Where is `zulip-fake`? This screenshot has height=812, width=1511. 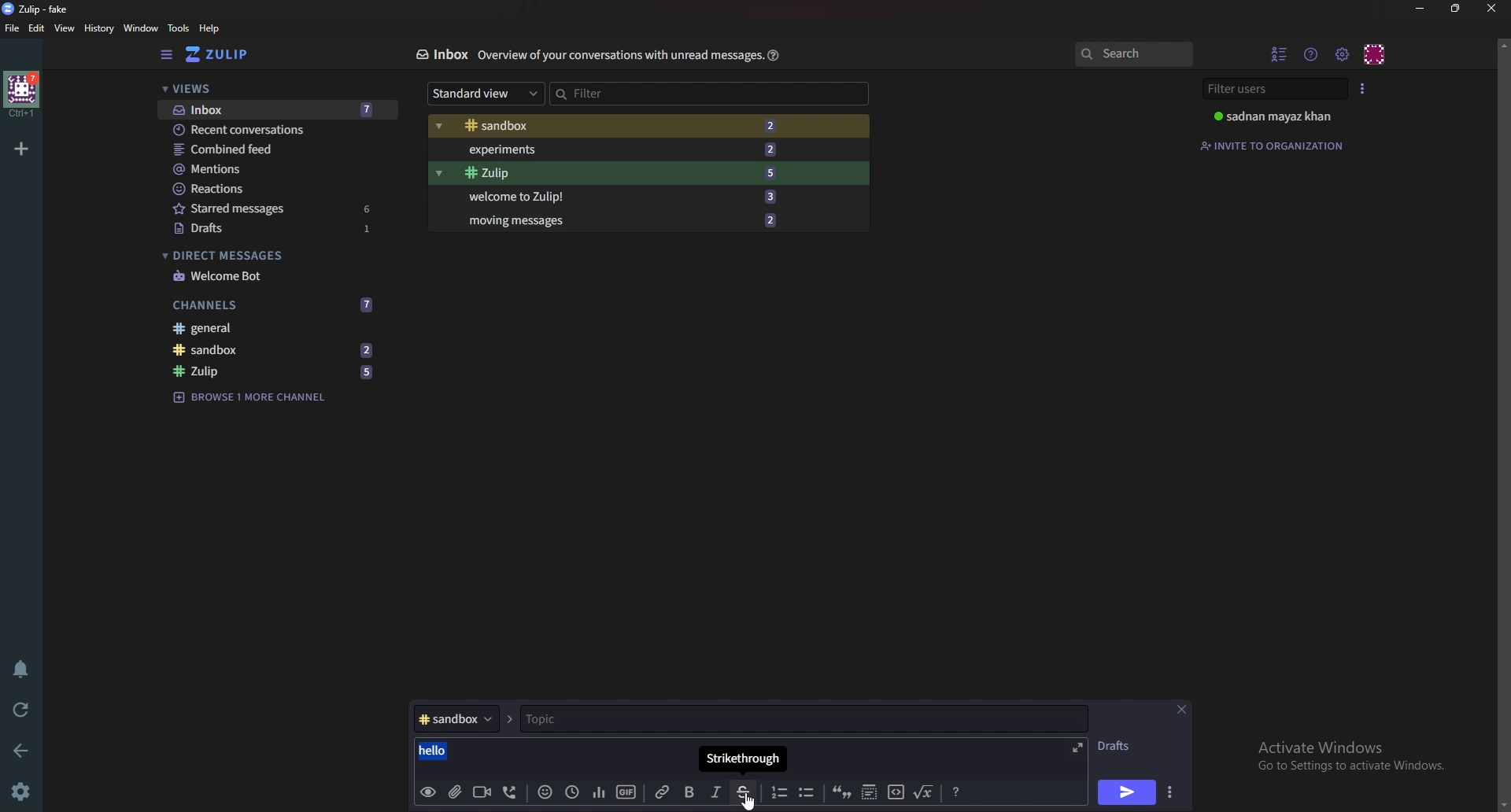
zulip-fake is located at coordinates (41, 9).